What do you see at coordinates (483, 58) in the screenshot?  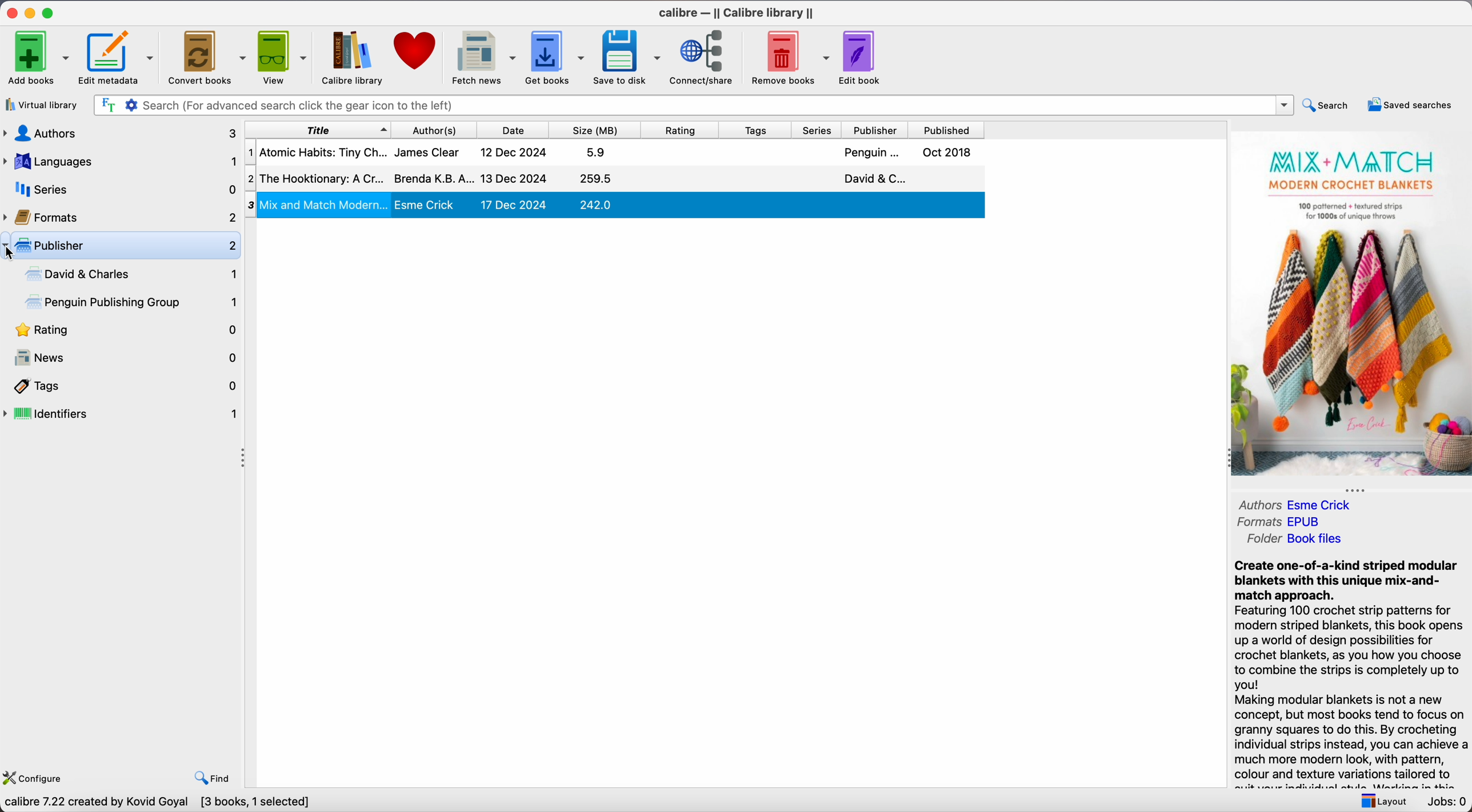 I see `fetch news` at bounding box center [483, 58].